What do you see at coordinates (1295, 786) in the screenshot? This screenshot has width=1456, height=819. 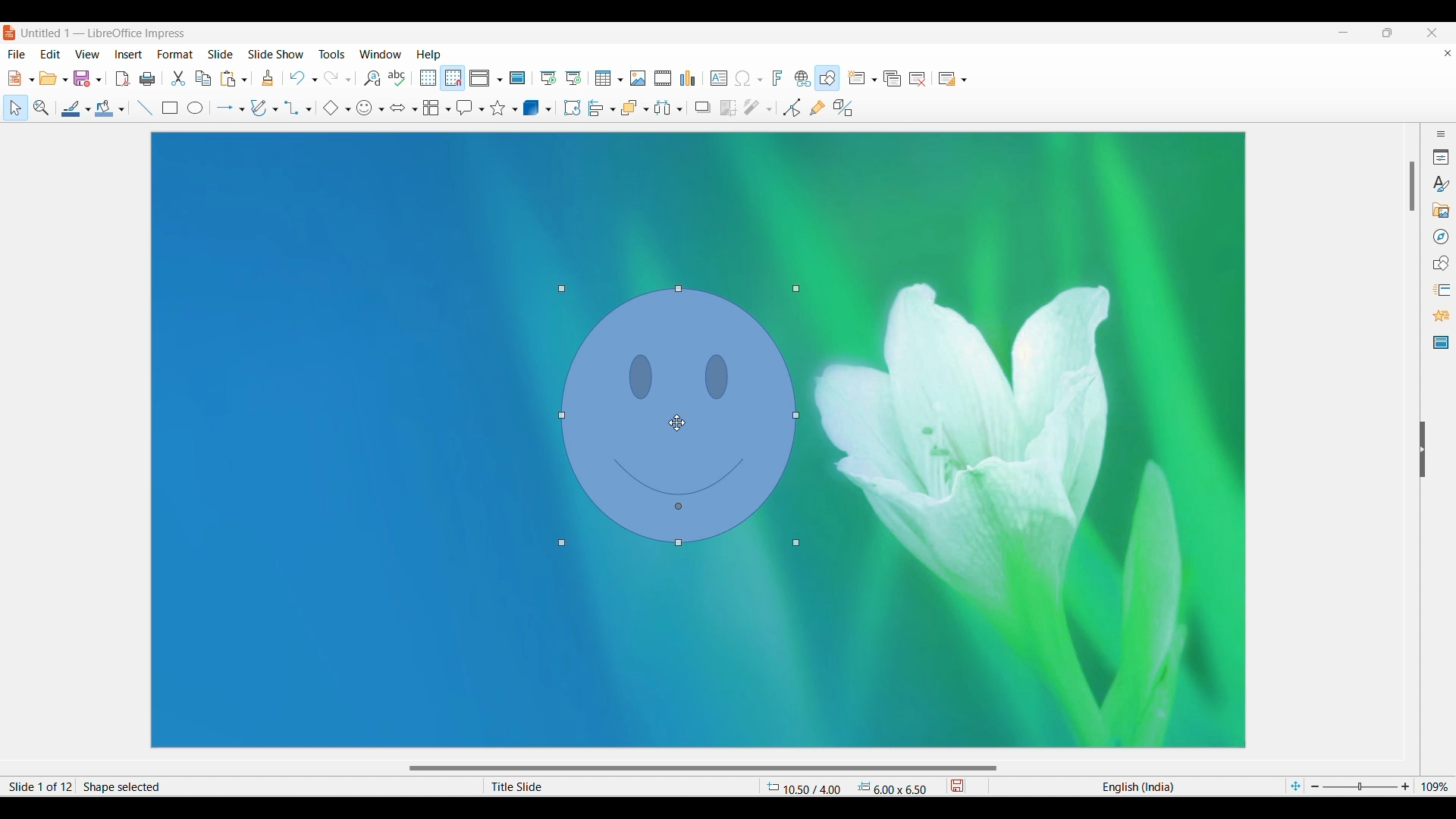 I see `Fit slide to current window` at bounding box center [1295, 786].